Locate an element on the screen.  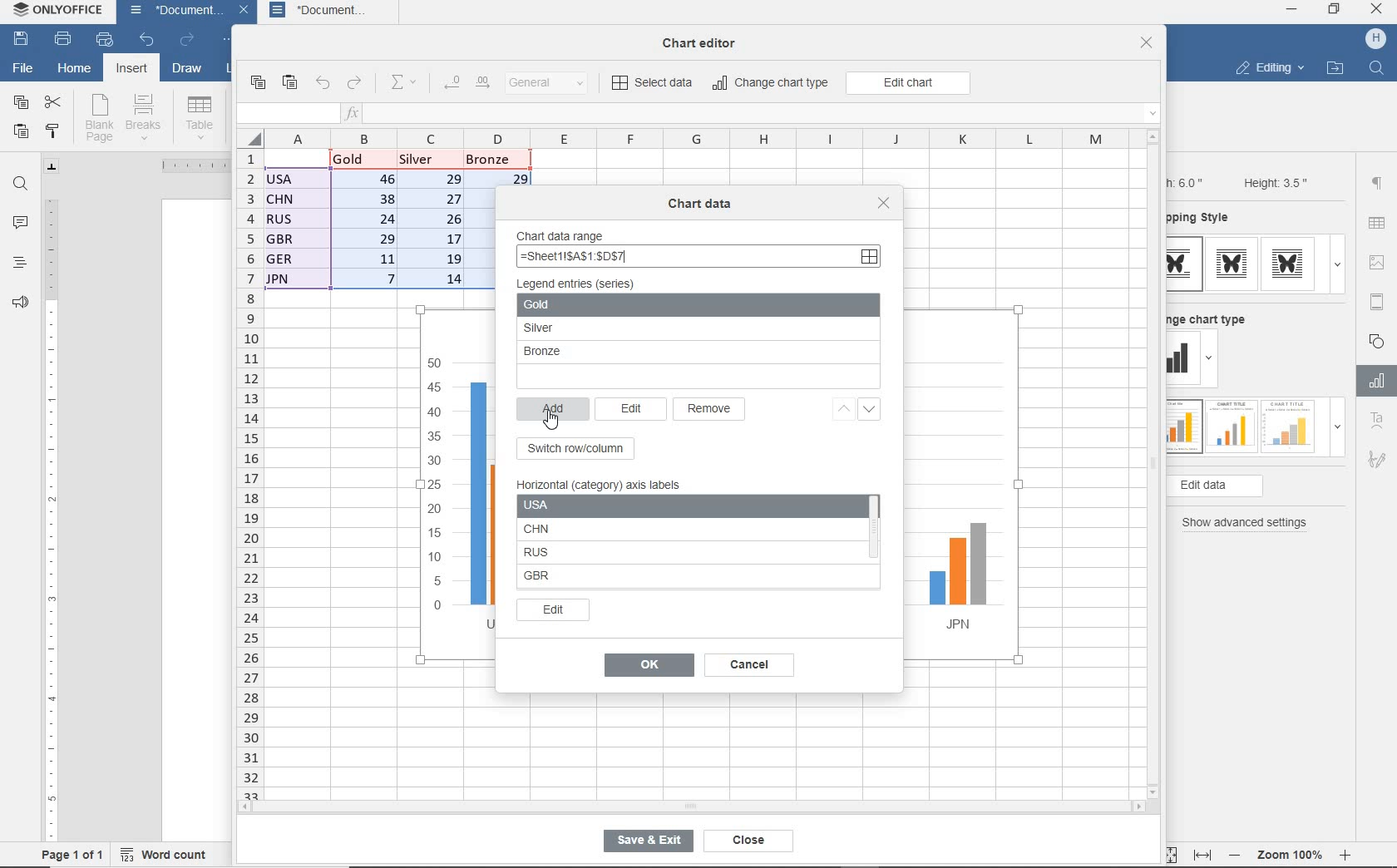
zoom 100% is located at coordinates (1293, 852).